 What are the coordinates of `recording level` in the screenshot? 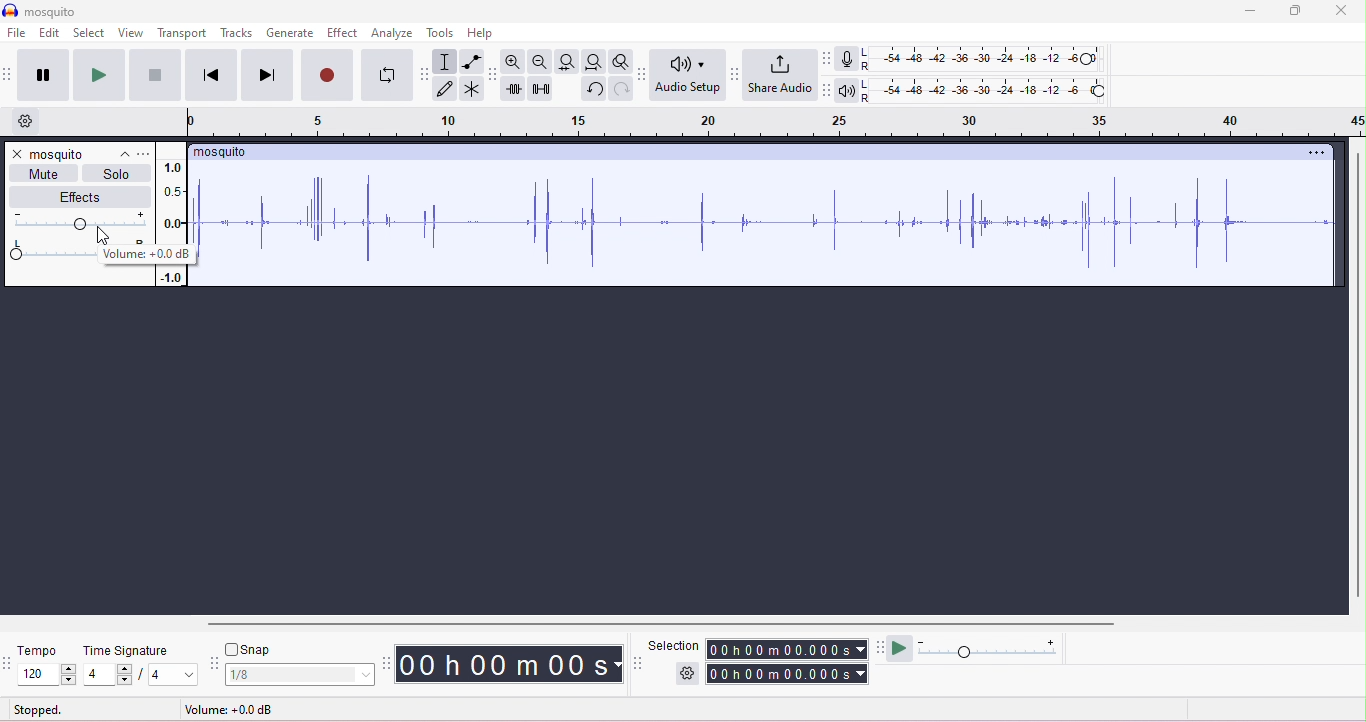 It's located at (985, 58).